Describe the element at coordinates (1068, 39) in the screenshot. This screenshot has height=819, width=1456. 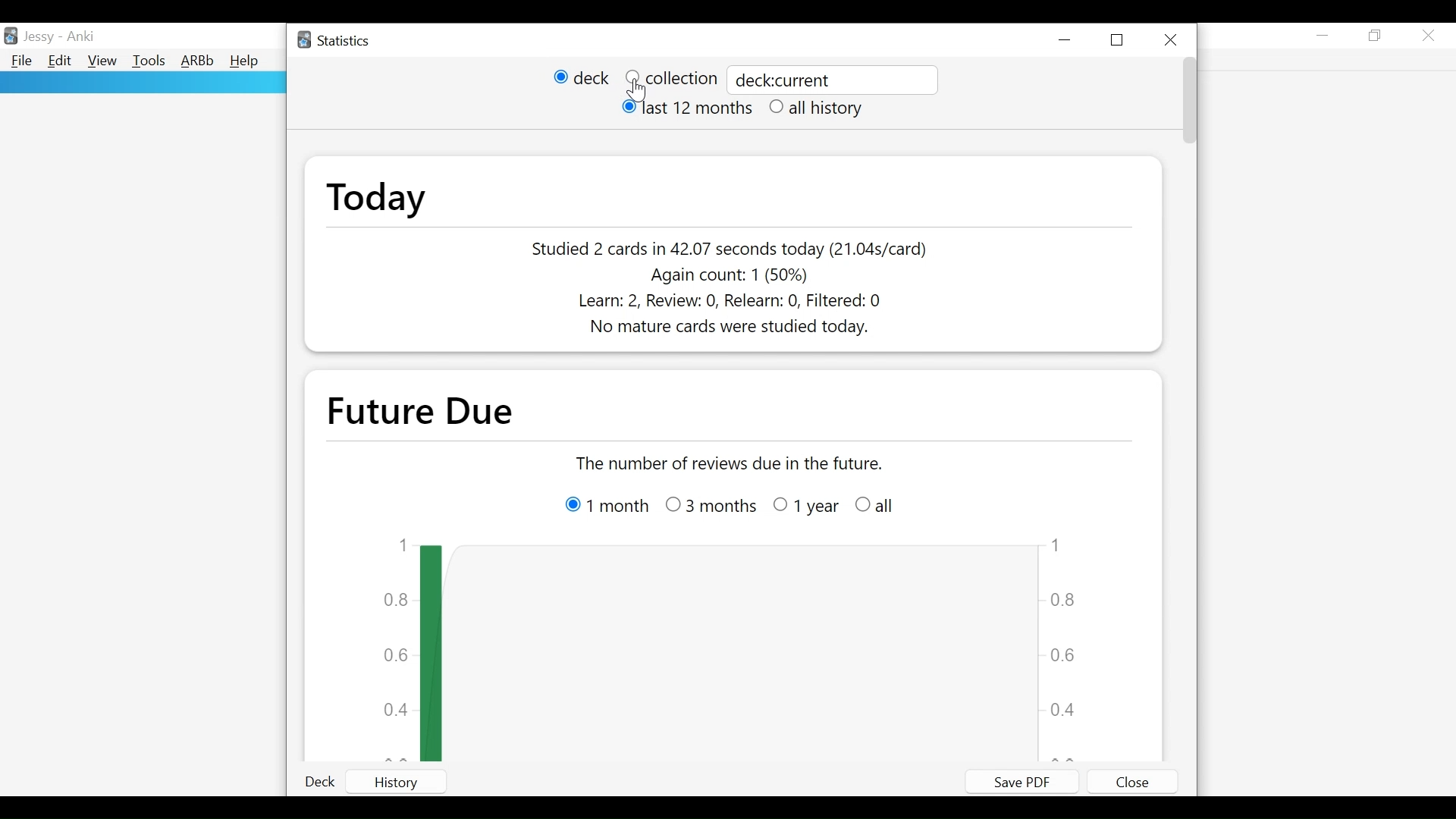
I see `Minimize` at that location.